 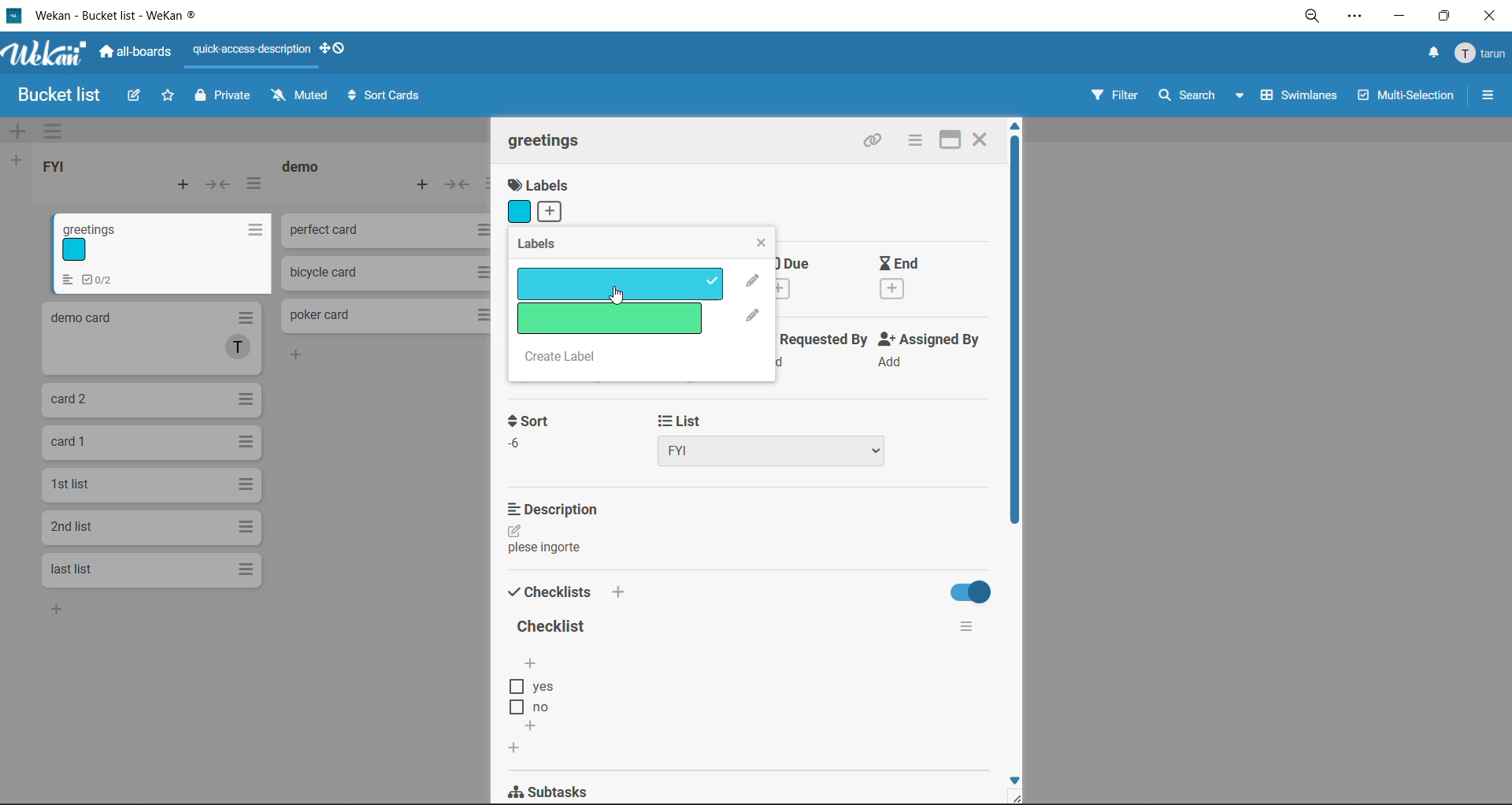 I want to click on assigned by, so click(x=928, y=351).